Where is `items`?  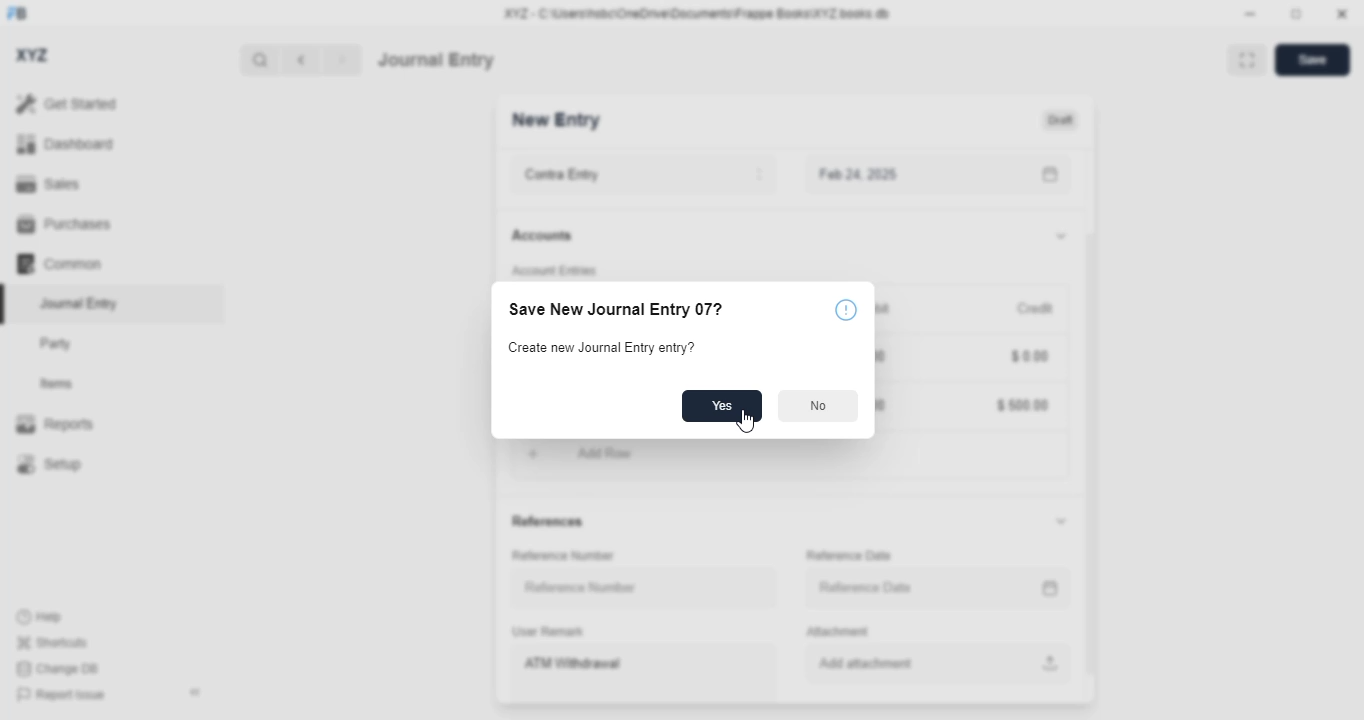 items is located at coordinates (57, 384).